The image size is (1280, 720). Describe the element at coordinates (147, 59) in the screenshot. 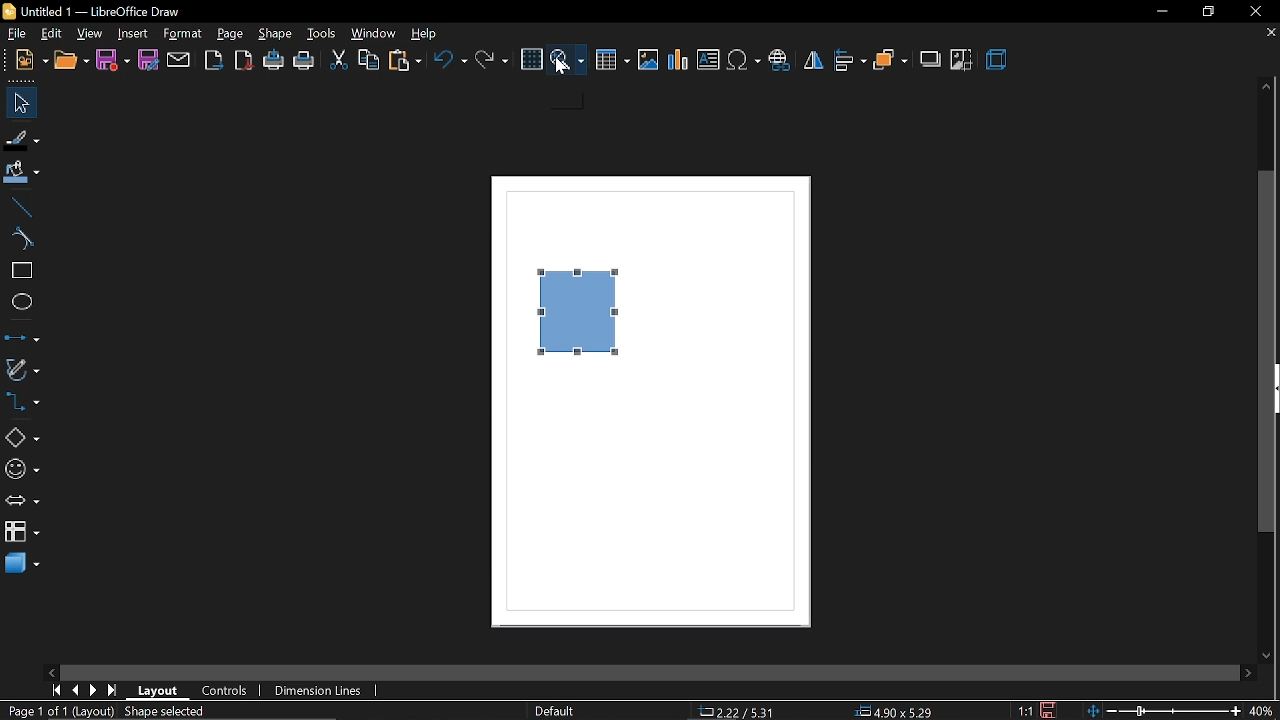

I see `save as` at that location.